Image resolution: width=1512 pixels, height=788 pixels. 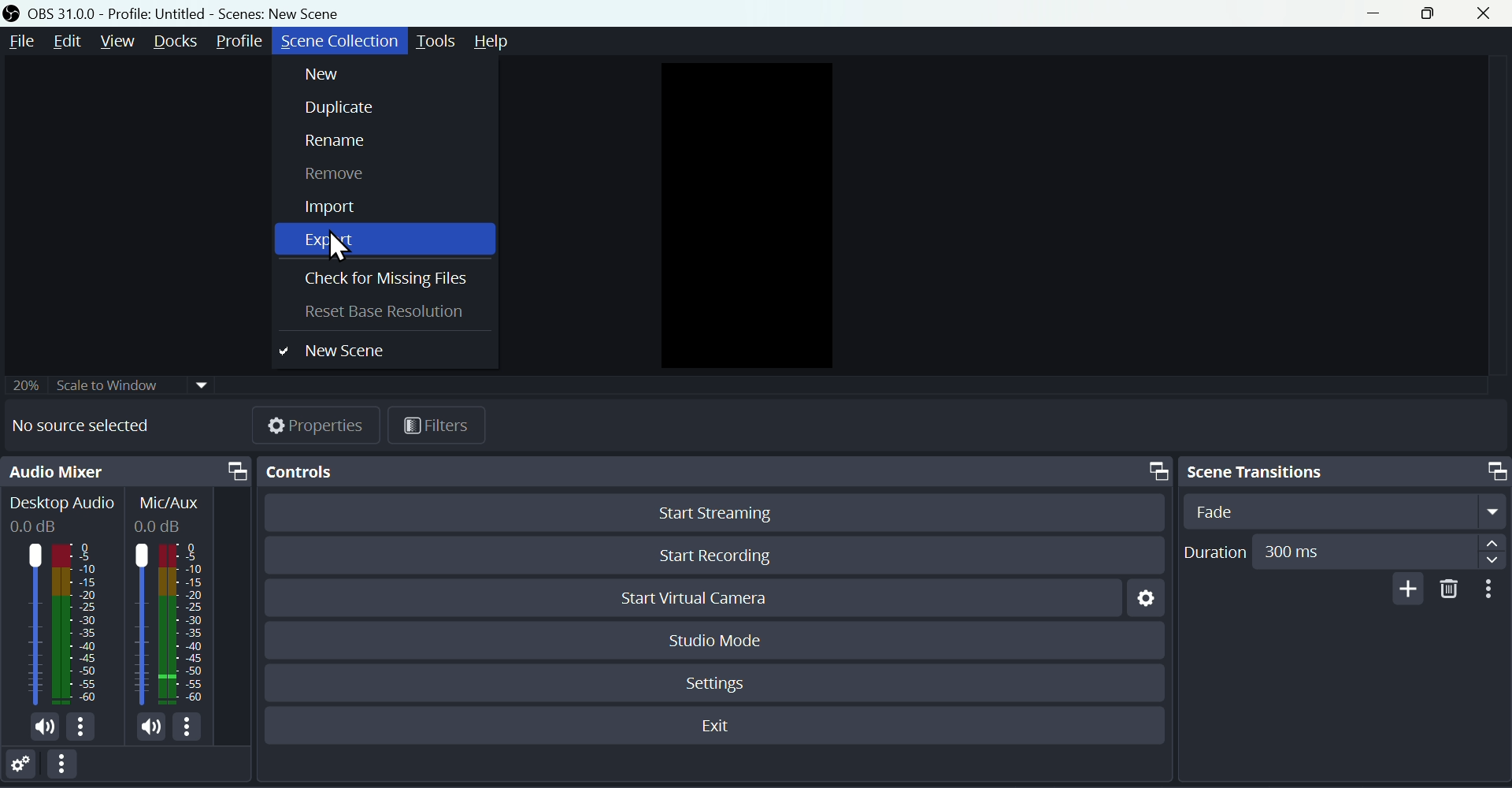 What do you see at coordinates (25, 767) in the screenshot?
I see `Settings` at bounding box center [25, 767].